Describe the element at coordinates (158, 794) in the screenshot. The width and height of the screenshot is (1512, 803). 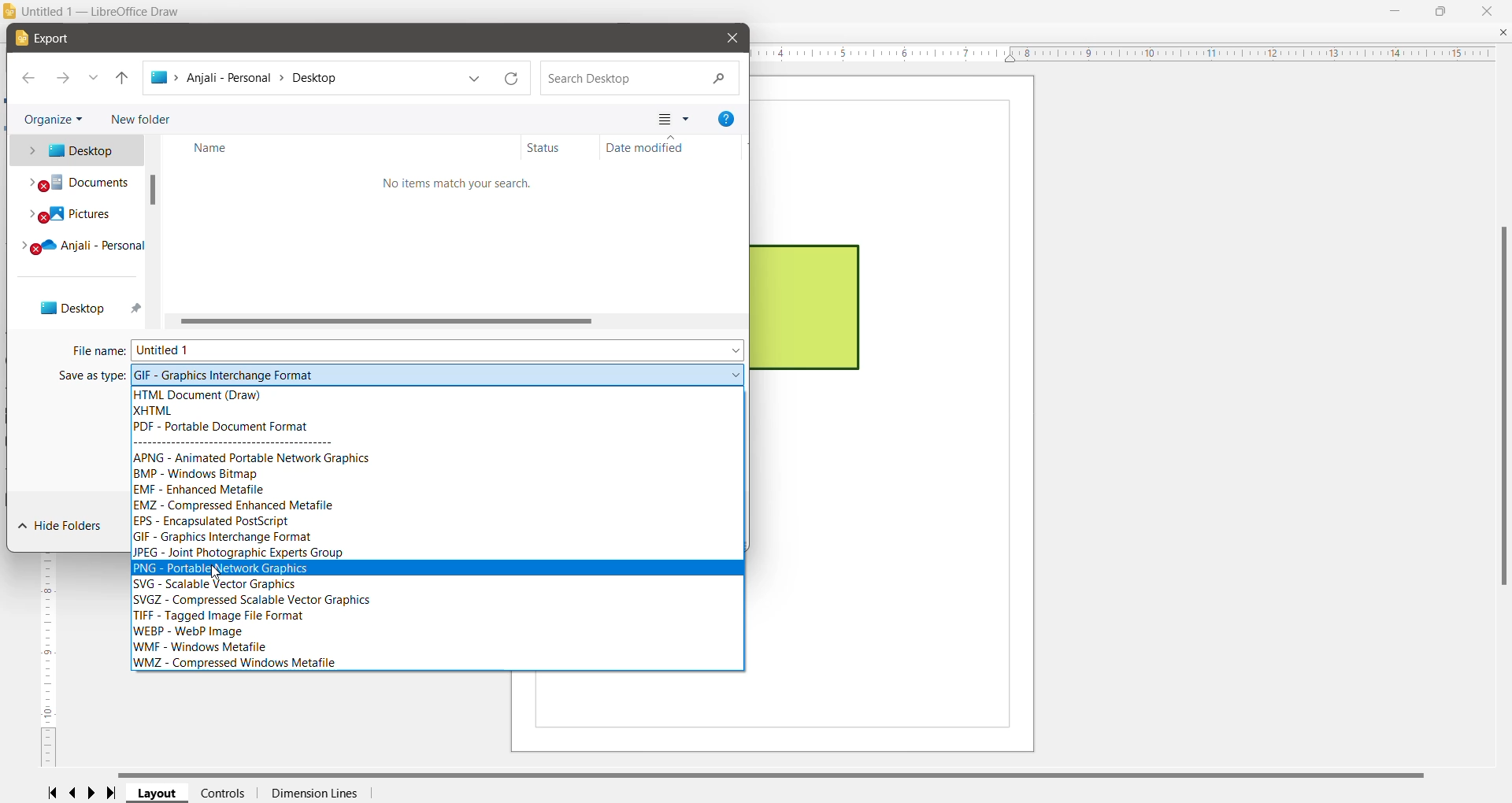
I see `Layout` at that location.